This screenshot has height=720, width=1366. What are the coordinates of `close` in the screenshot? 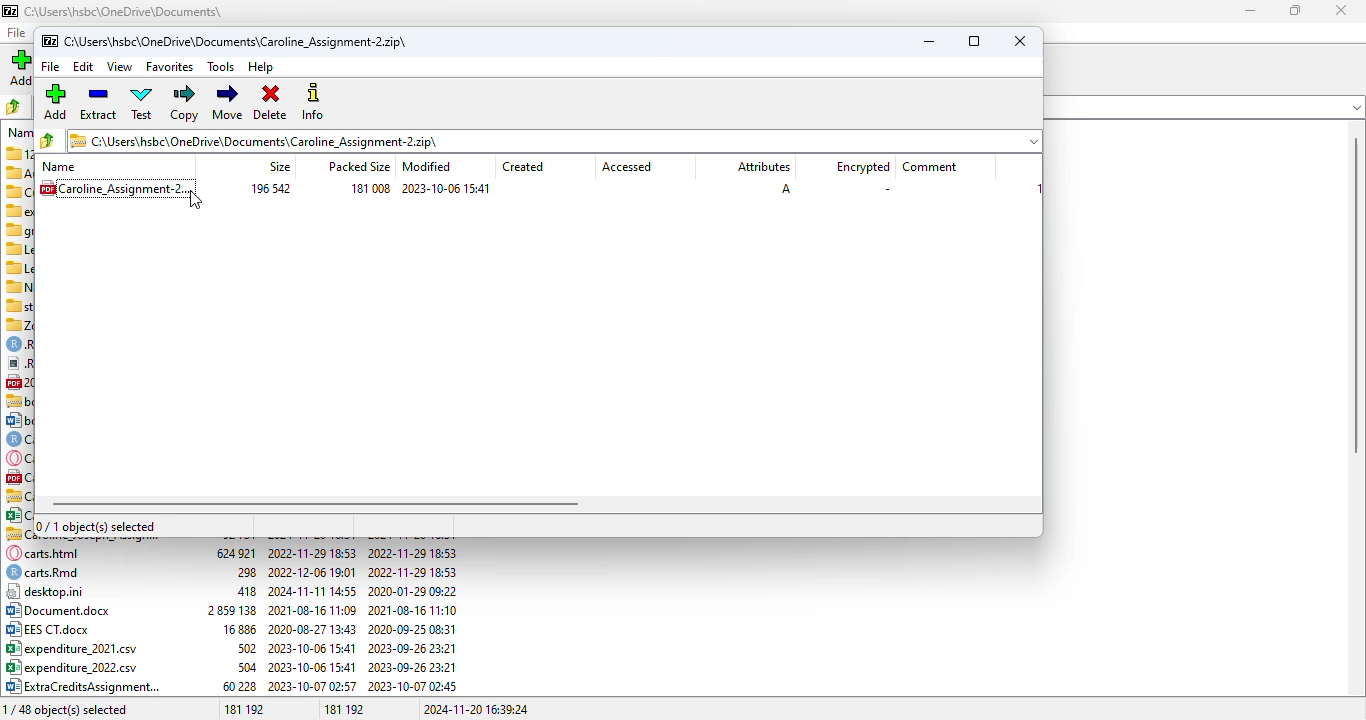 It's located at (1341, 10).